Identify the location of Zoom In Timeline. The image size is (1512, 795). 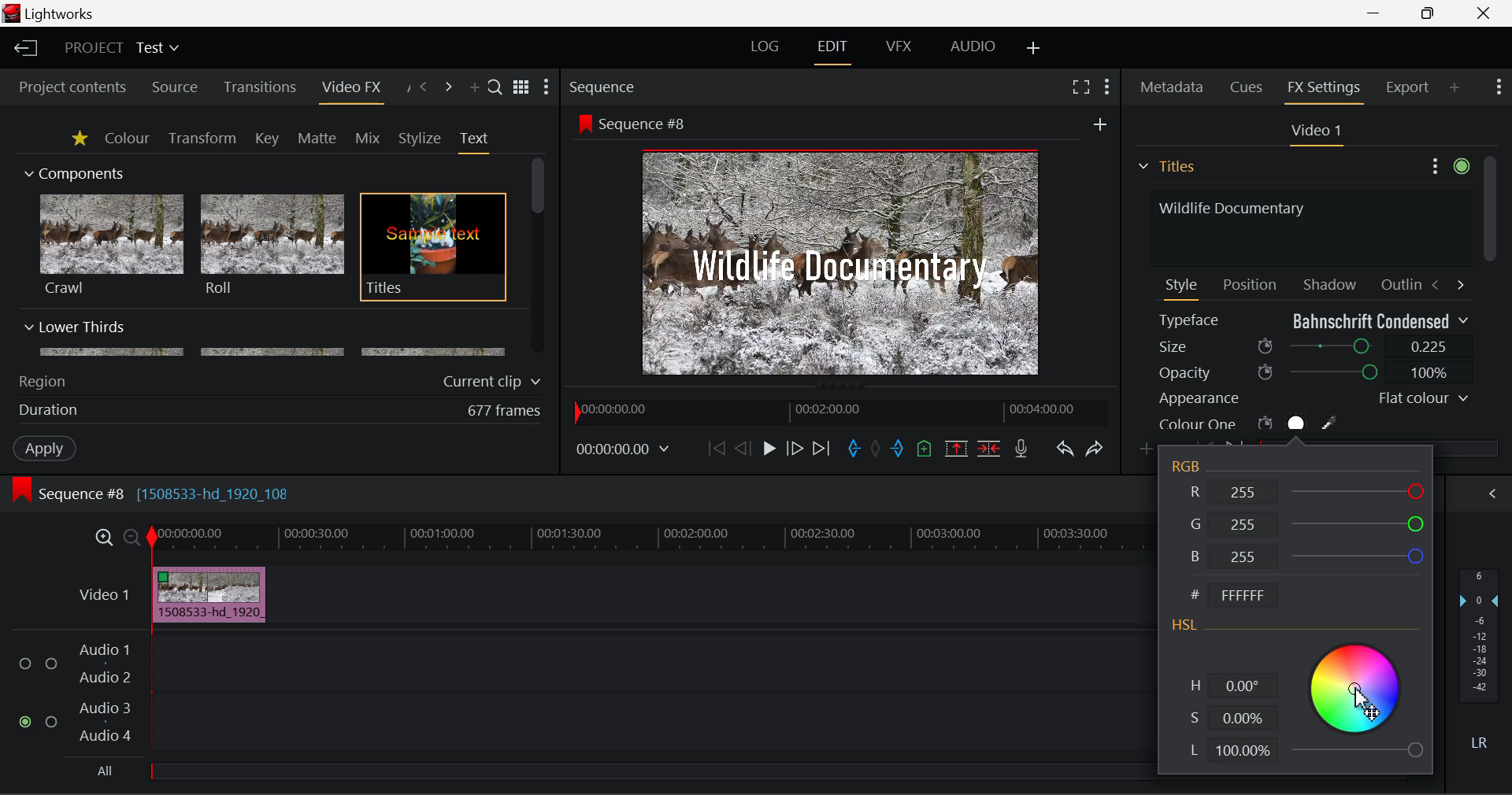
(104, 542).